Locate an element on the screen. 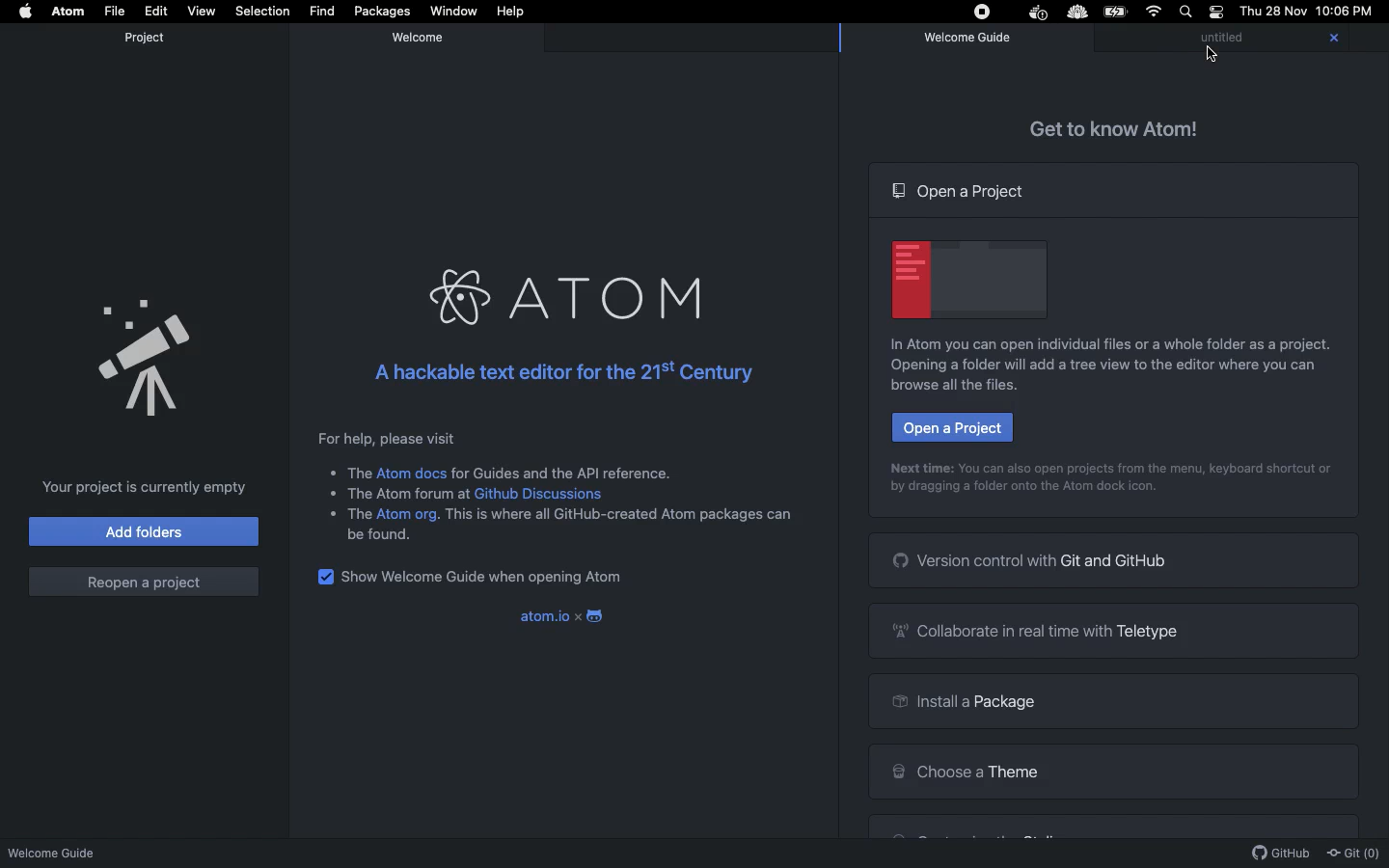 The image size is (1389, 868). Instructional text is located at coordinates (958, 389).